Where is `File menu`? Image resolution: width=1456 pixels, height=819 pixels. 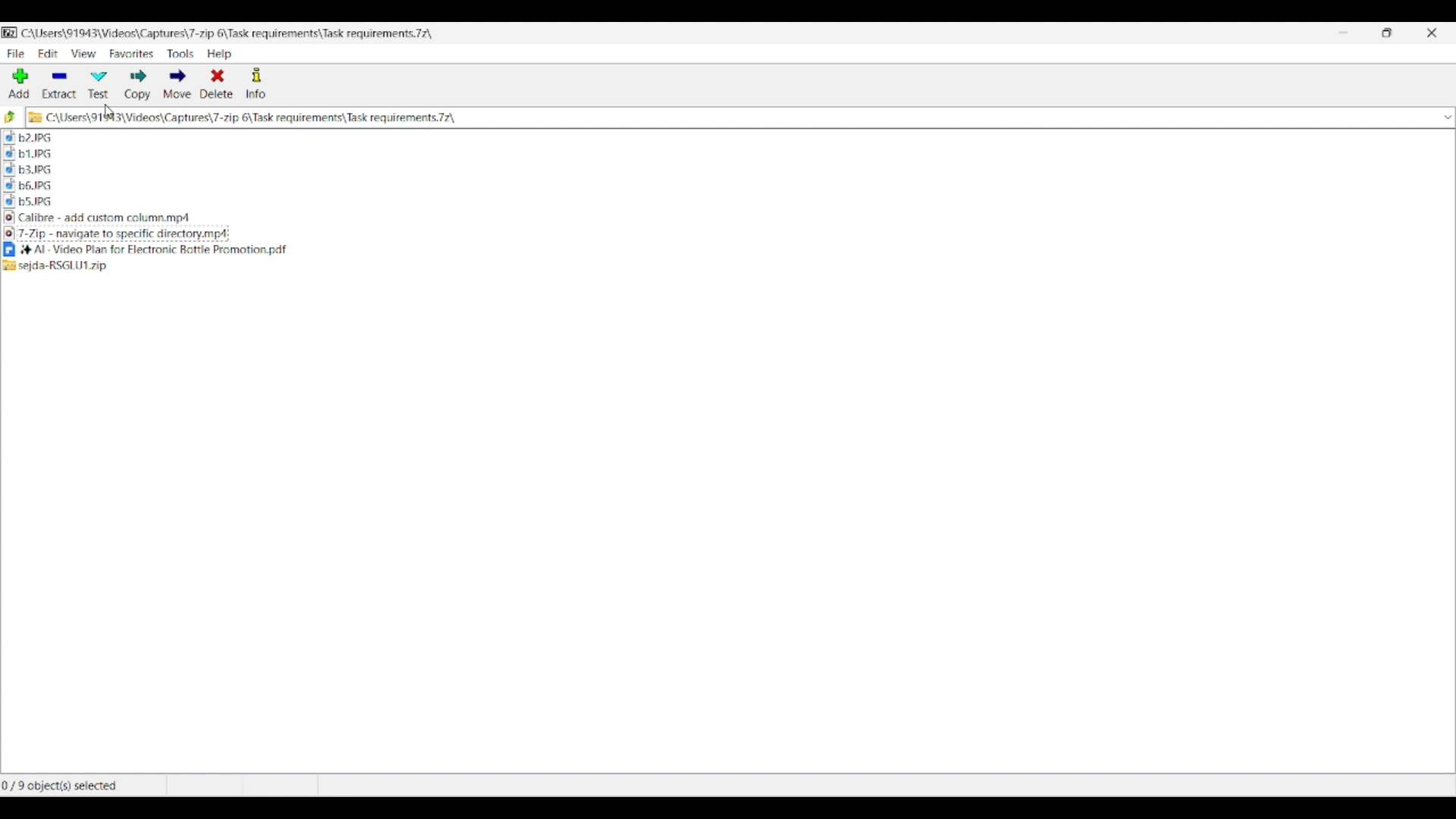
File menu is located at coordinates (16, 54).